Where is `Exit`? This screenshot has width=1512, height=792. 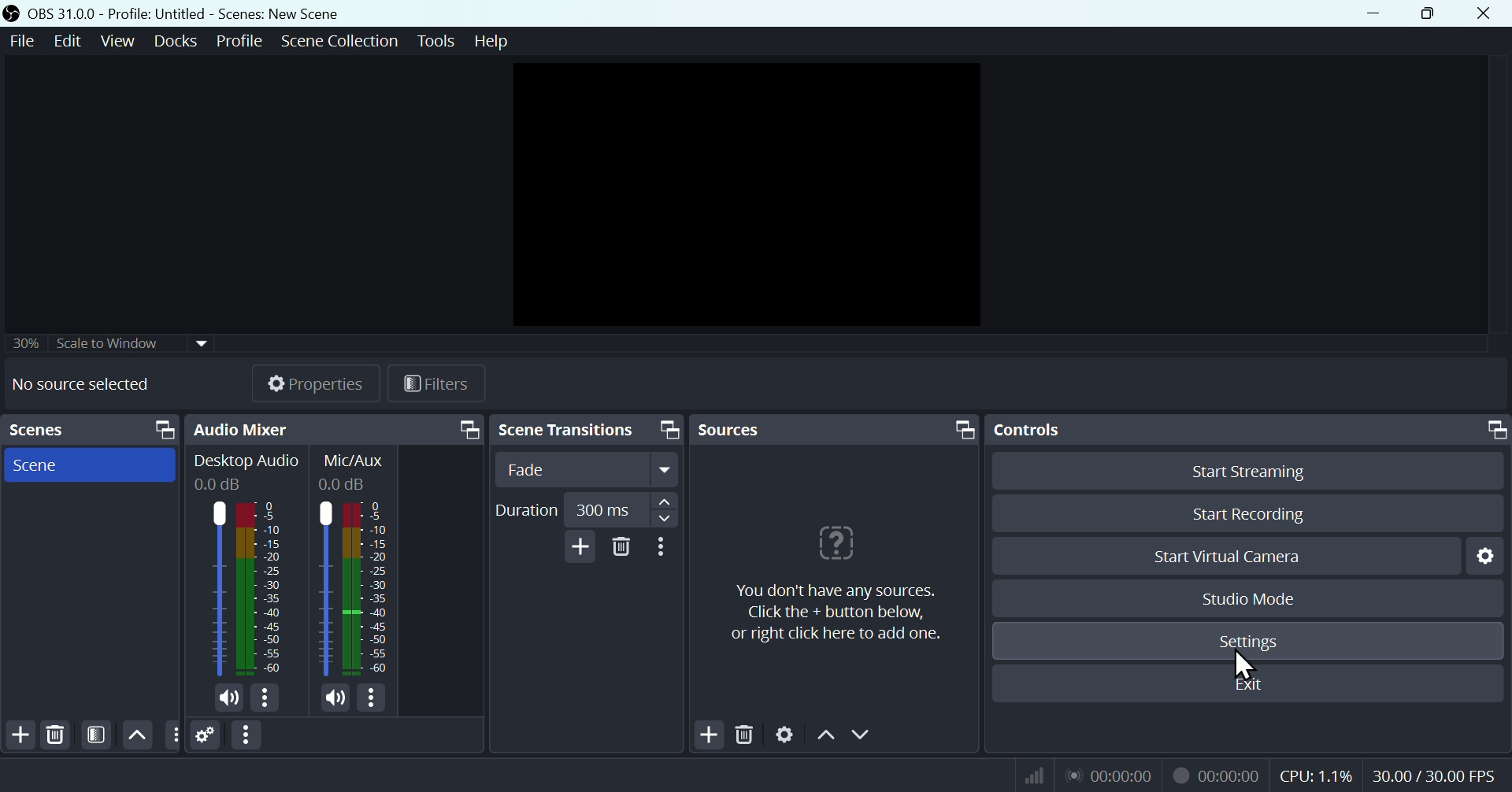
Exit is located at coordinates (1255, 682).